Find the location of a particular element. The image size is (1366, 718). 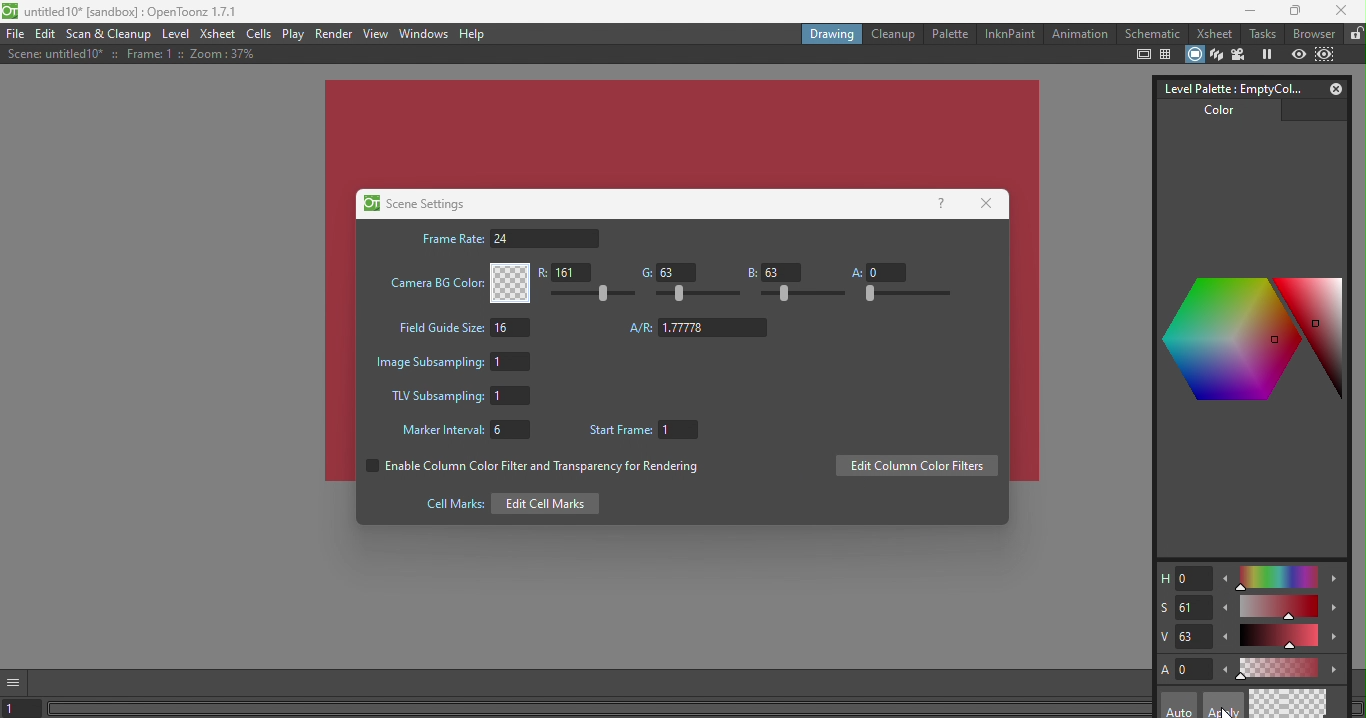

Lock rooms tab is located at coordinates (1354, 34).